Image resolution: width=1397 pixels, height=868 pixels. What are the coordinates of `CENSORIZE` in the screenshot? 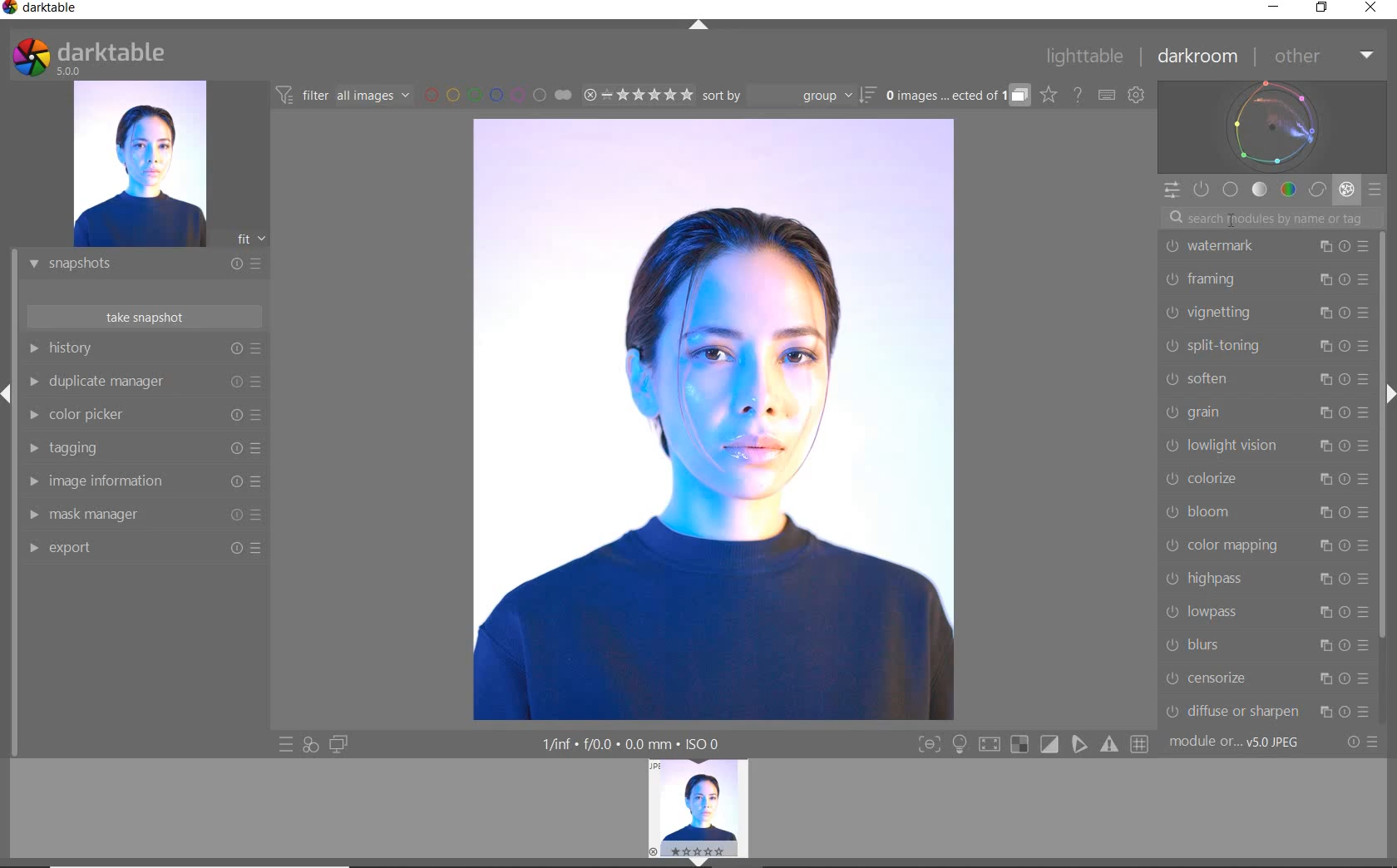 It's located at (1266, 678).